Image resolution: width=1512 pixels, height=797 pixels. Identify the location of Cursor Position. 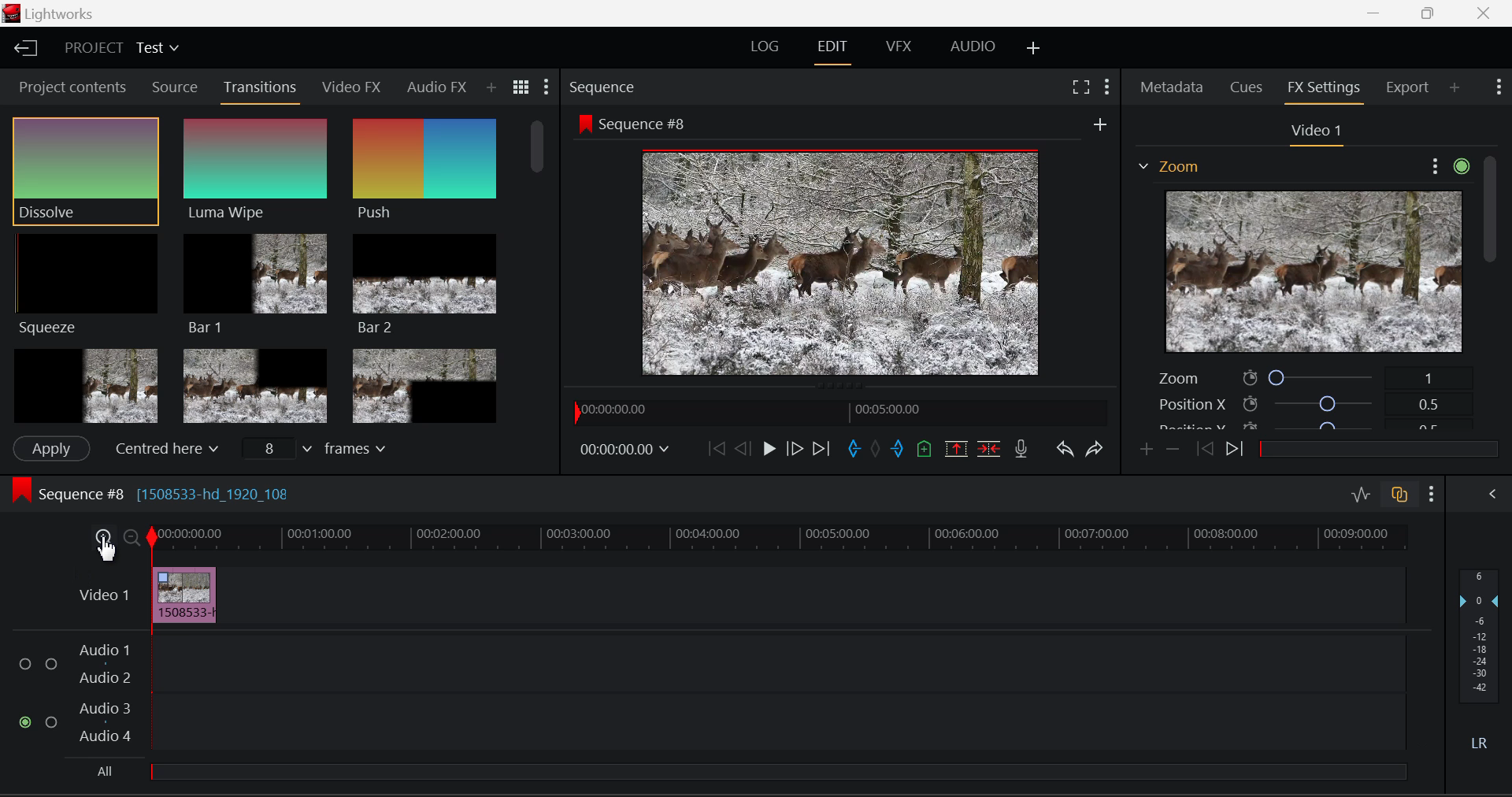
(107, 550).